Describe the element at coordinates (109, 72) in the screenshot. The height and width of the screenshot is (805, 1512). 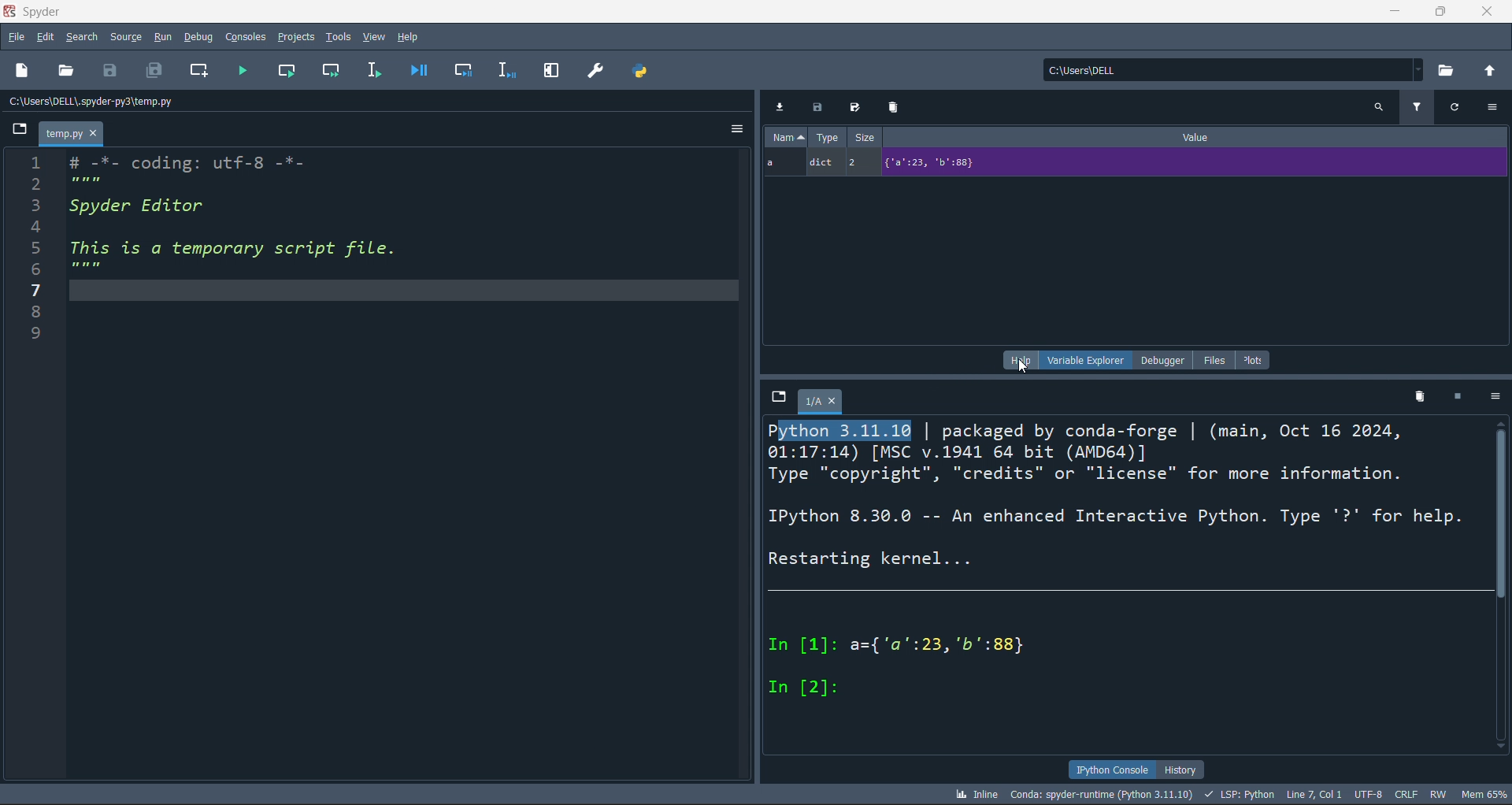
I see `save` at that location.